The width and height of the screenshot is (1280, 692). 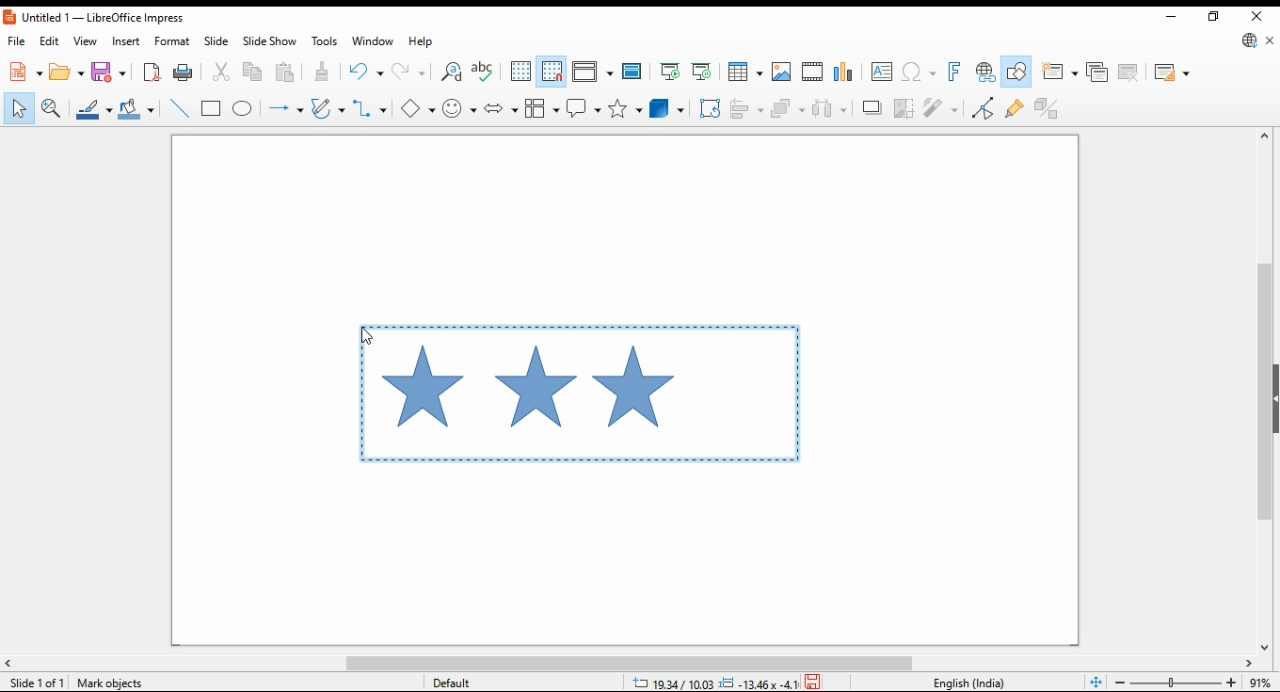 I want to click on window, so click(x=373, y=43).